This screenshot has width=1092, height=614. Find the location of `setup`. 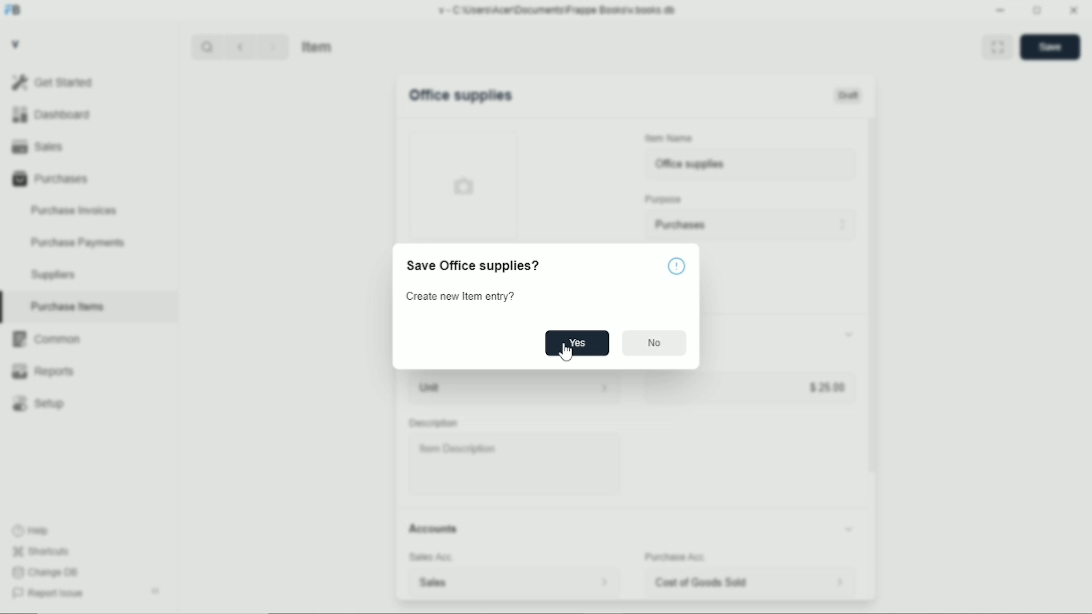

setup is located at coordinates (39, 404).